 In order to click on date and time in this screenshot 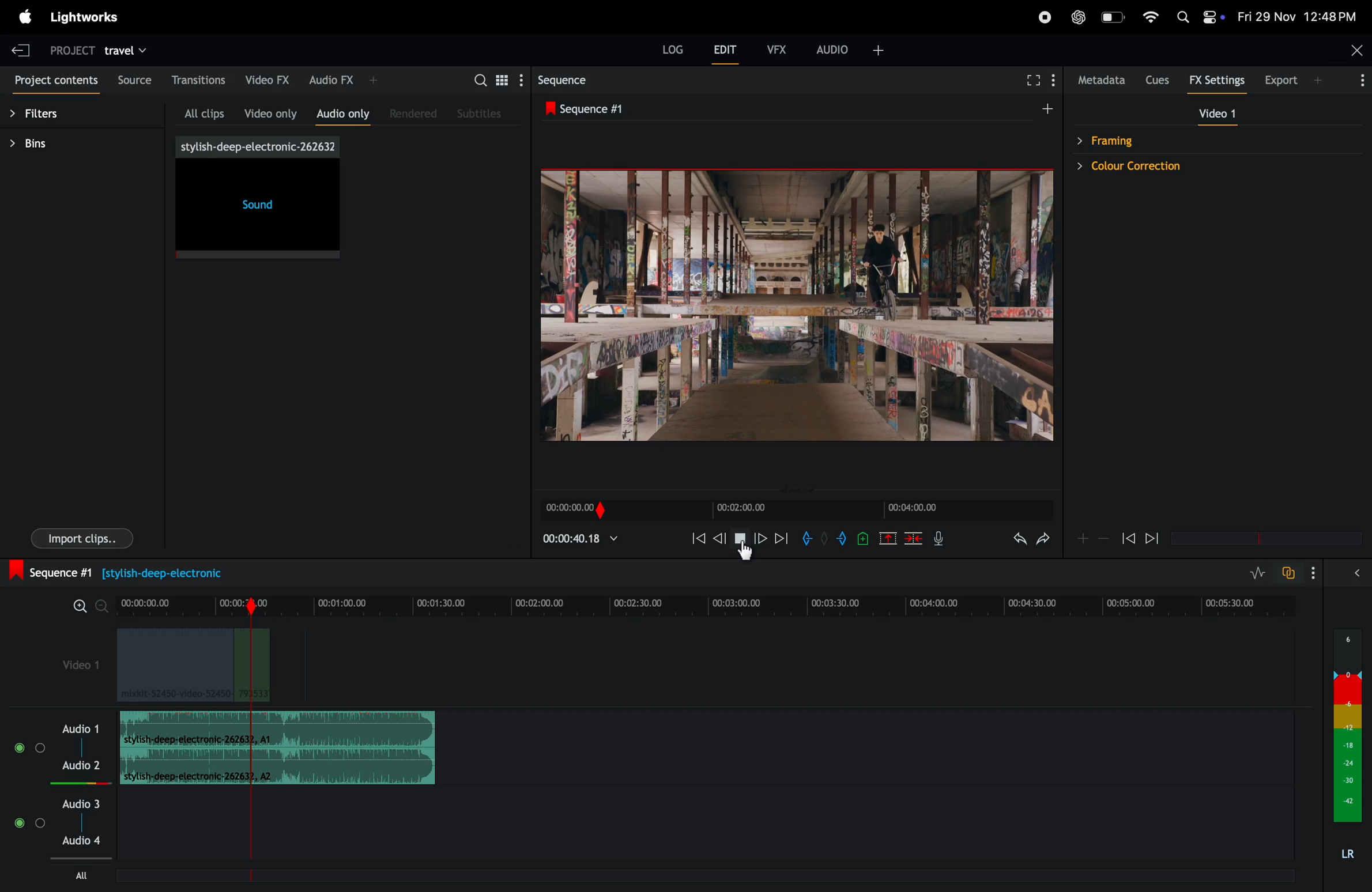, I will do `click(1298, 16)`.